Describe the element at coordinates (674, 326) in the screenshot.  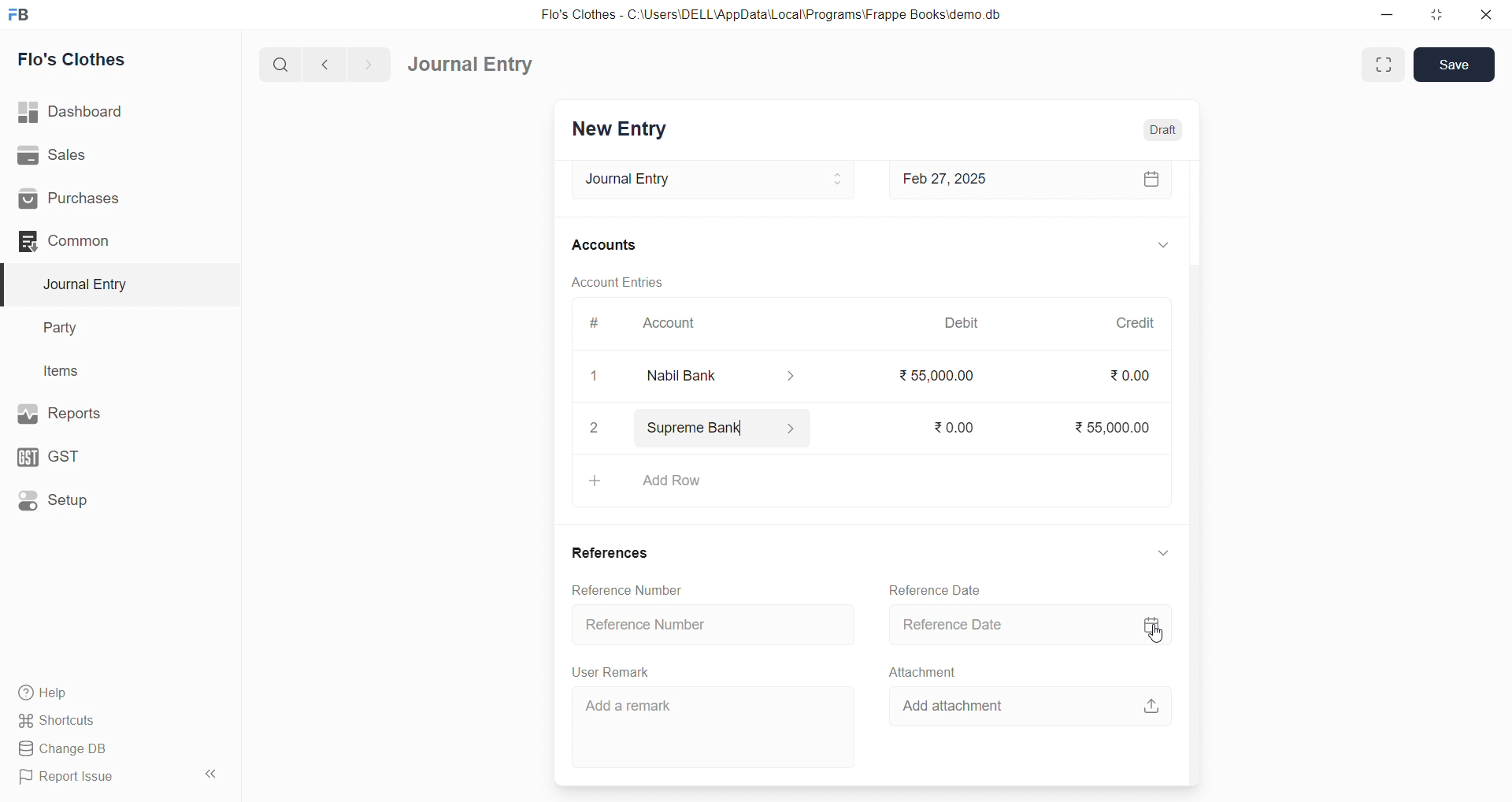
I see `Account` at that location.